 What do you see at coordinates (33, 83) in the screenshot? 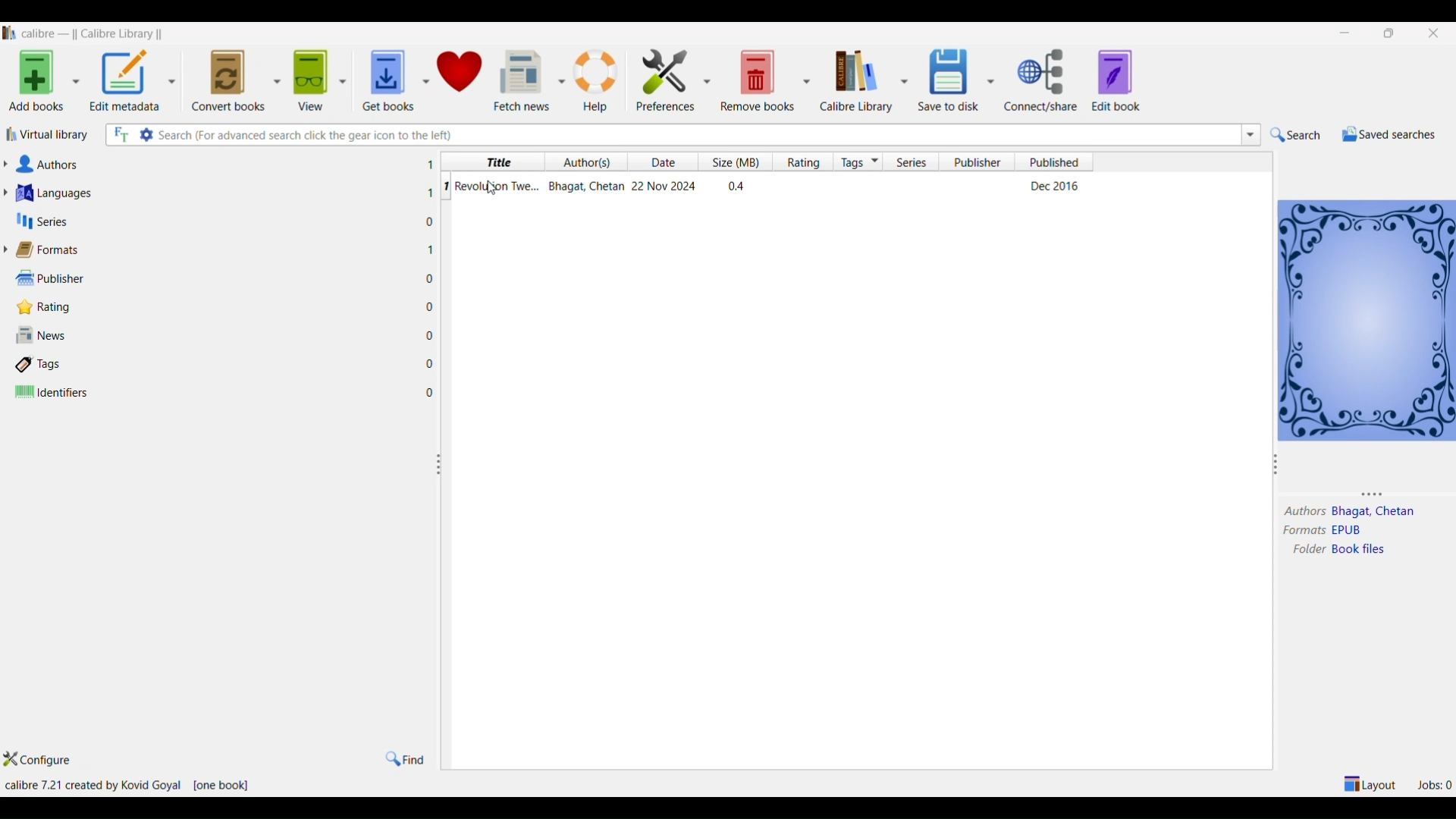
I see `add books` at bounding box center [33, 83].